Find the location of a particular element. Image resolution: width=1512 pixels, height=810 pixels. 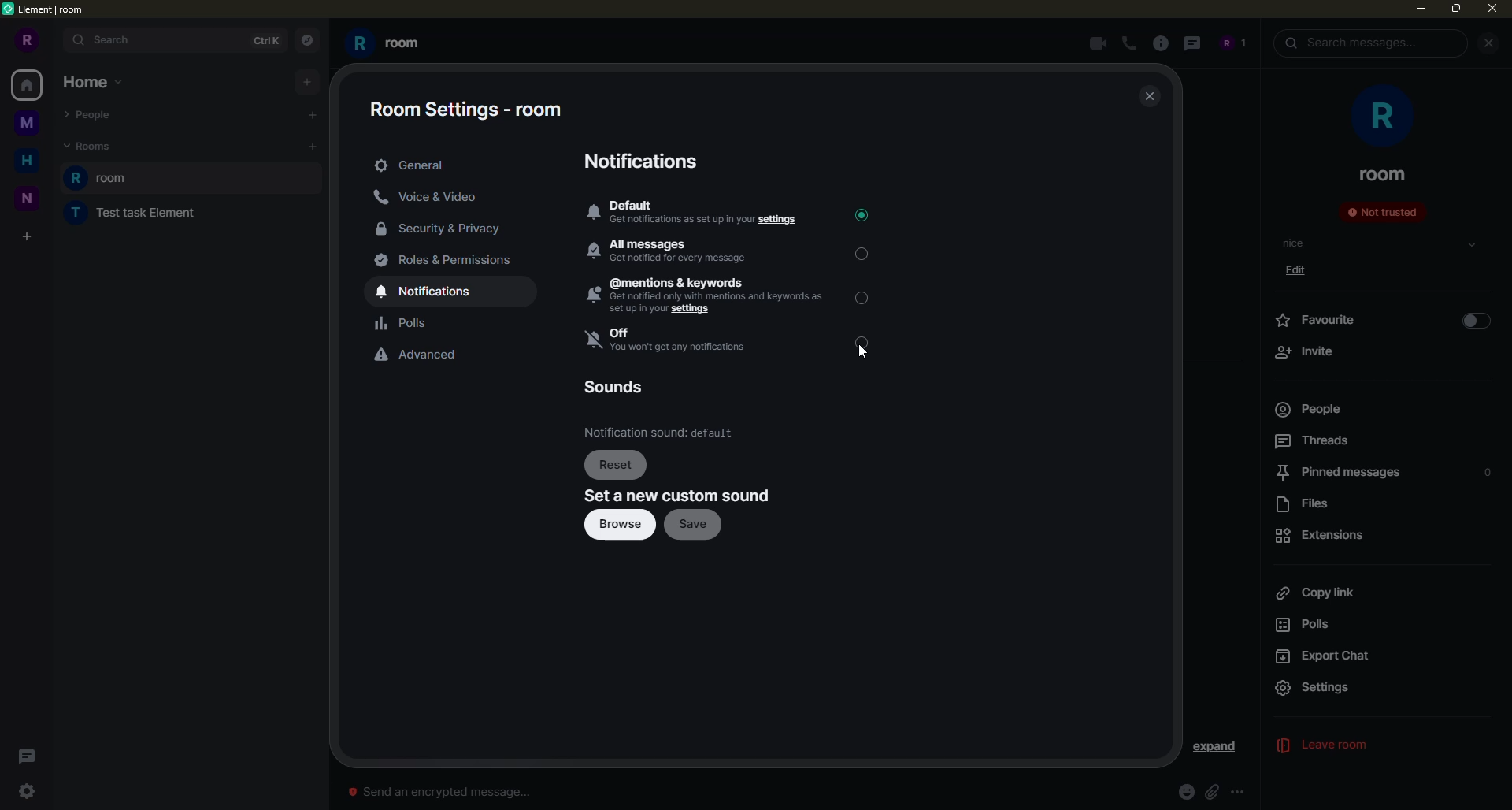

publish room is located at coordinates (763, 561).